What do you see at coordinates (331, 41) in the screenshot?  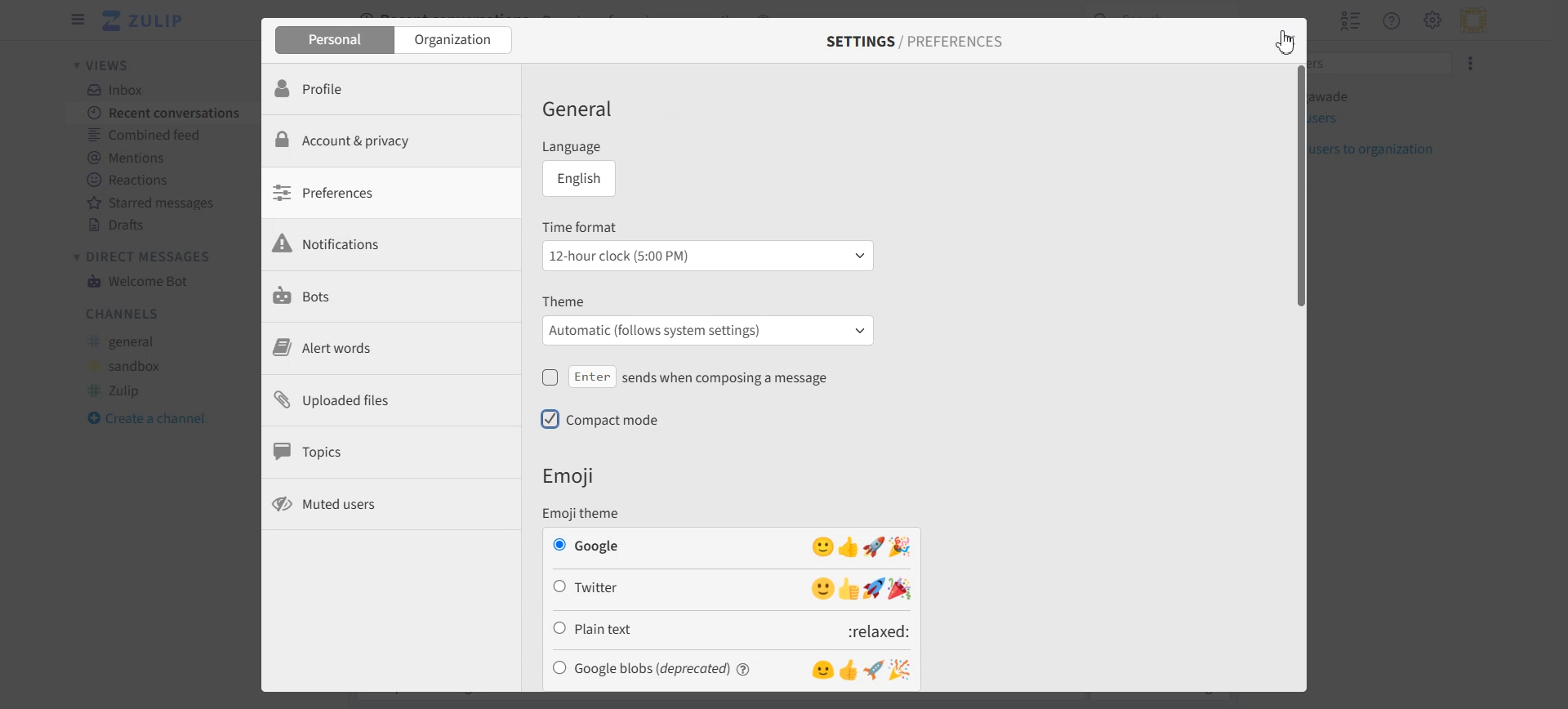 I see `Personal` at bounding box center [331, 41].